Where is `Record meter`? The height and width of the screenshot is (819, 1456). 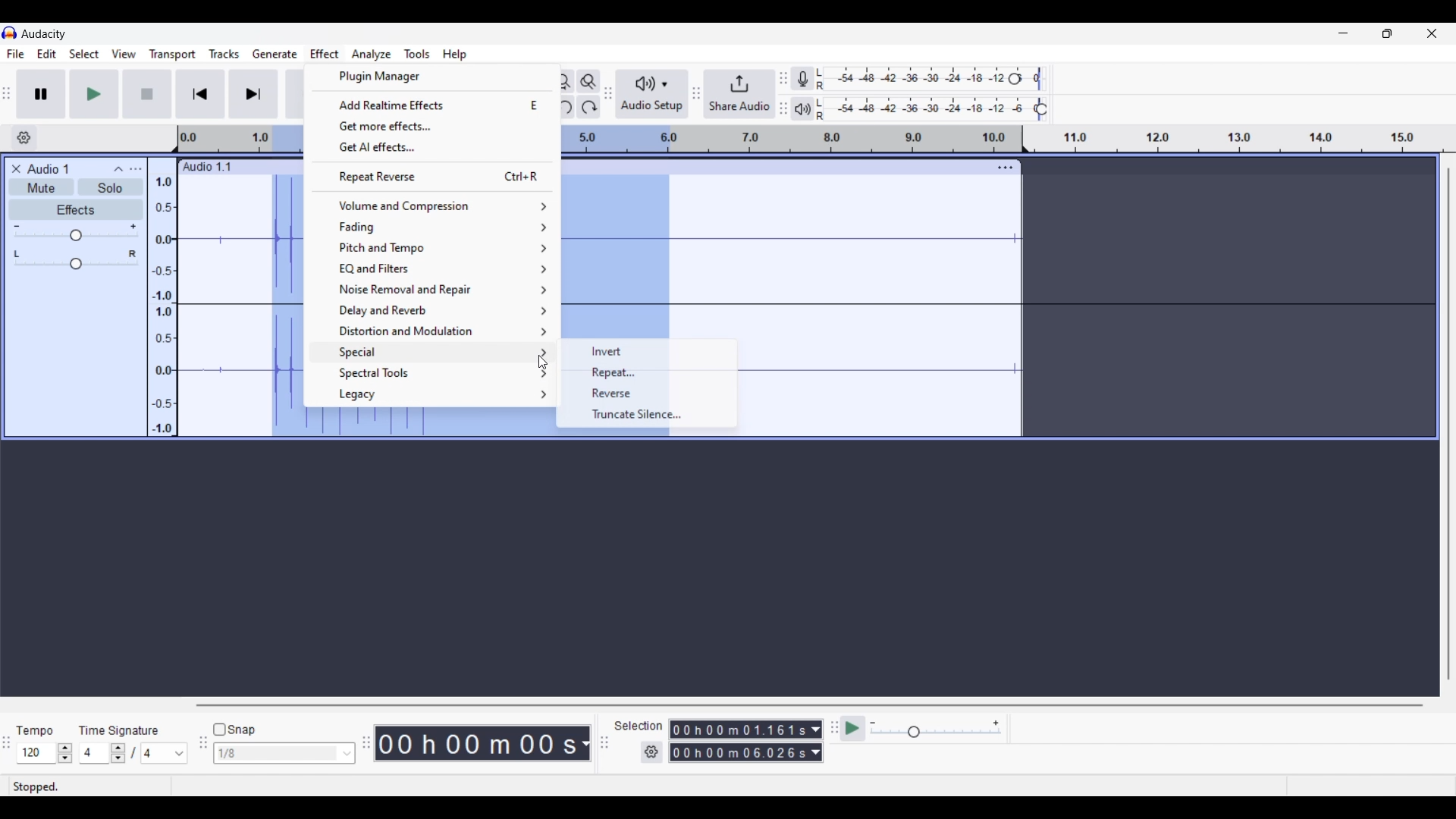 Record meter is located at coordinates (802, 78).